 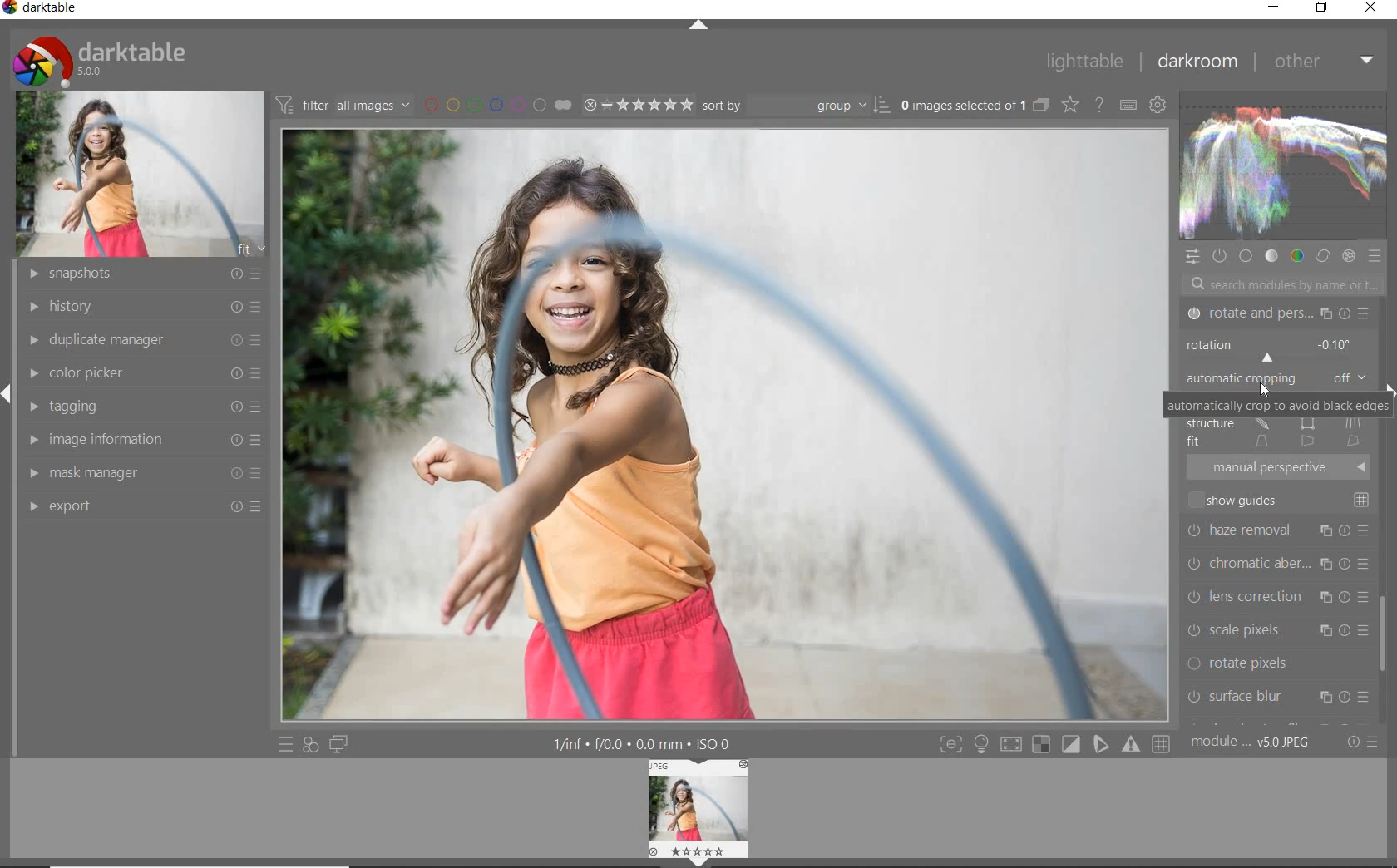 What do you see at coordinates (1072, 106) in the screenshot?
I see `change type of overlay` at bounding box center [1072, 106].